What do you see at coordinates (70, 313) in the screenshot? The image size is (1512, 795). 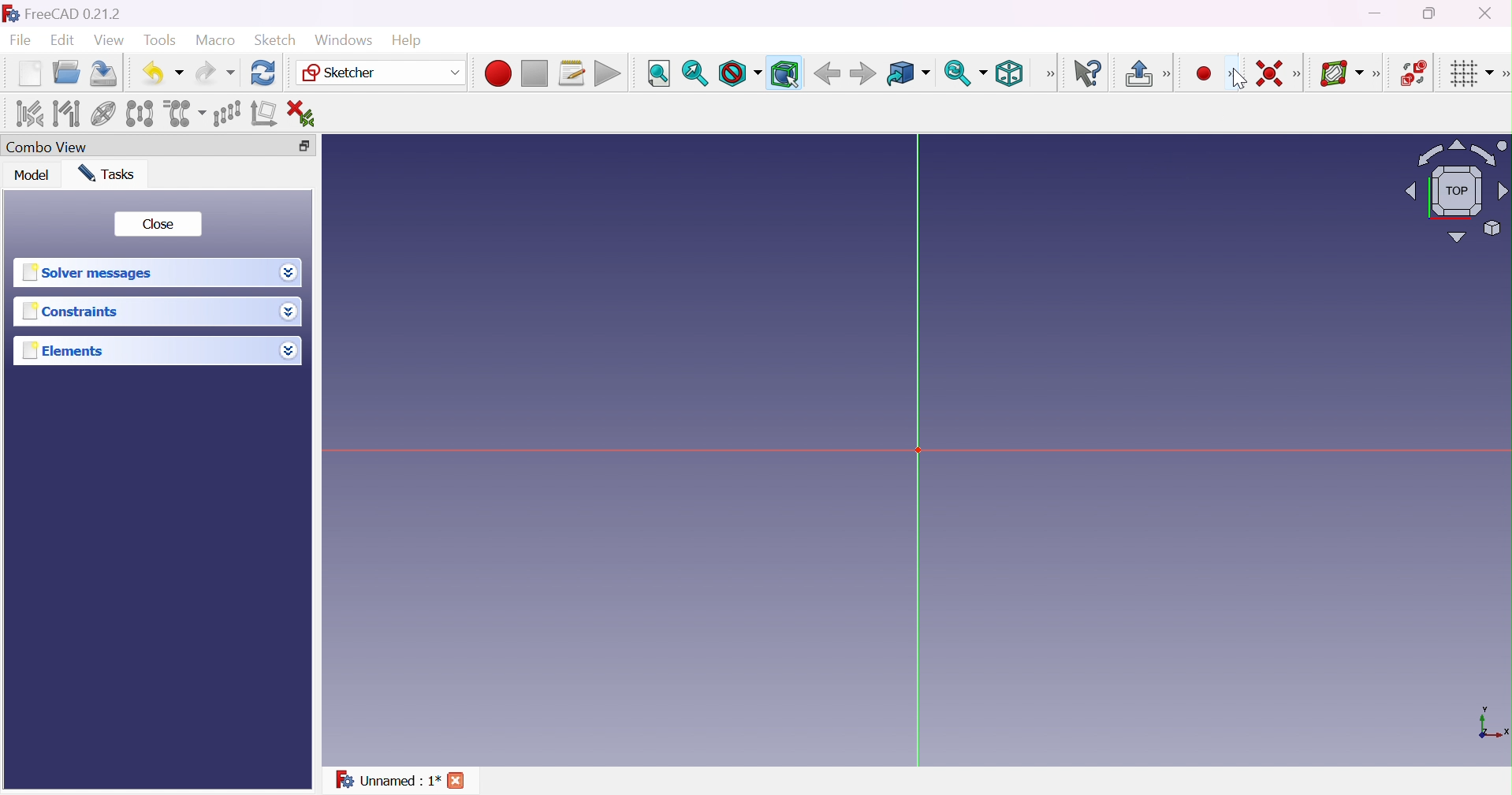 I see `Constraints` at bounding box center [70, 313].